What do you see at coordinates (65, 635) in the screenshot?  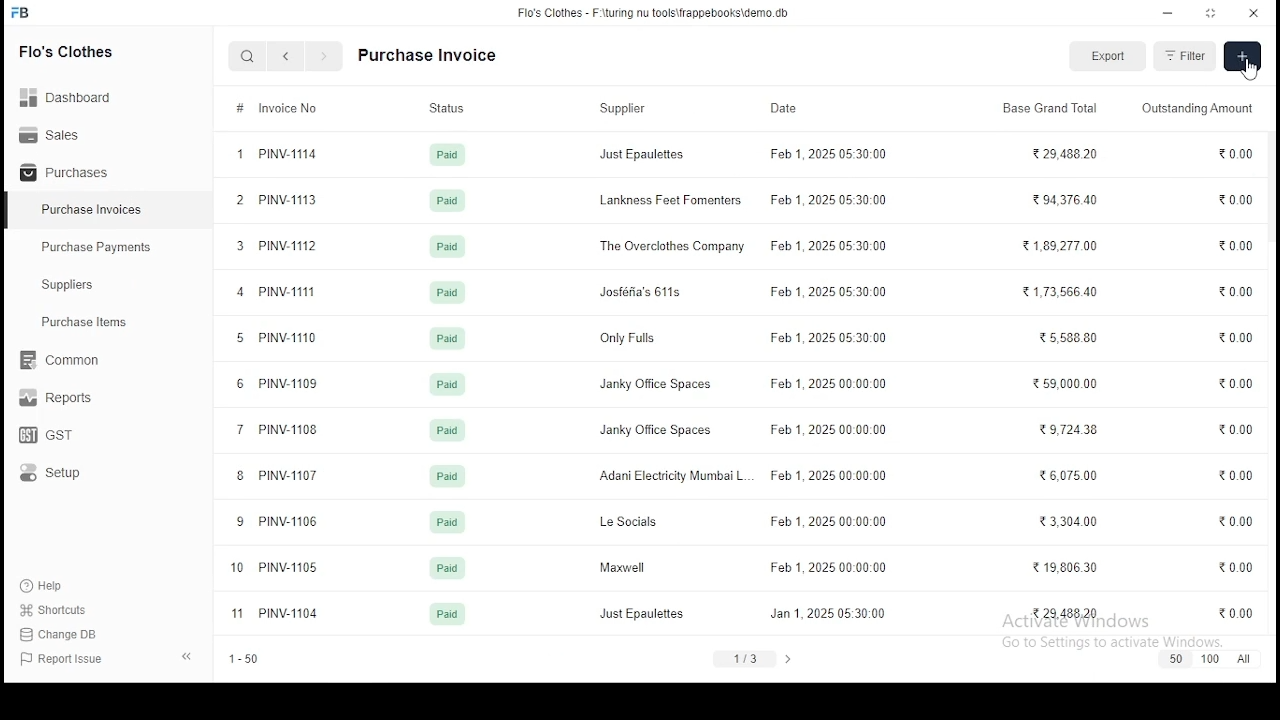 I see `Change DB` at bounding box center [65, 635].